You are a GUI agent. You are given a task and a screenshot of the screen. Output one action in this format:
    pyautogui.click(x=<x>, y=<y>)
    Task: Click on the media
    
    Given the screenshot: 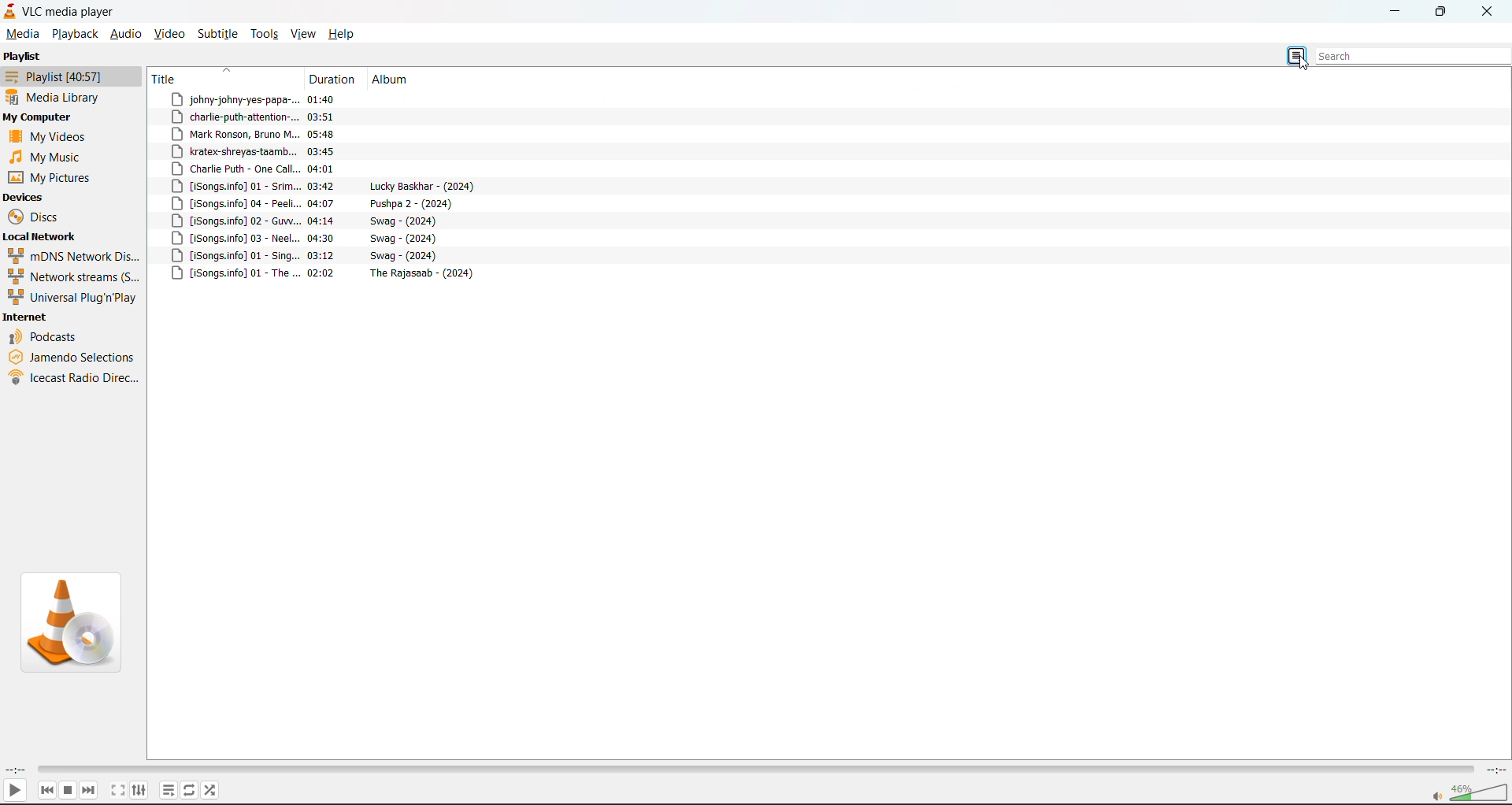 What is the action you would take?
    pyautogui.click(x=23, y=32)
    